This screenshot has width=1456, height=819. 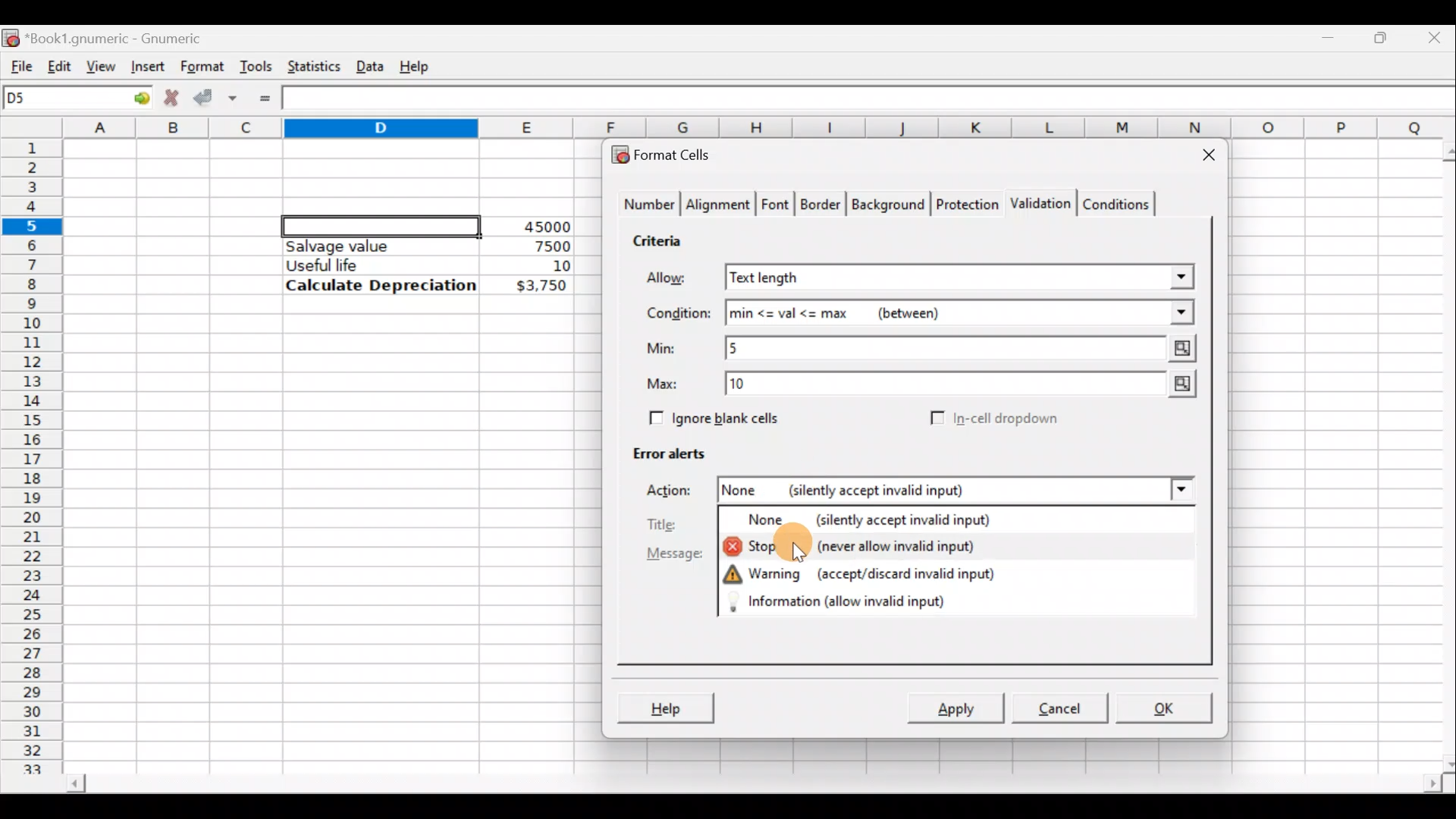 I want to click on min<=val<=max (between), so click(x=960, y=313).